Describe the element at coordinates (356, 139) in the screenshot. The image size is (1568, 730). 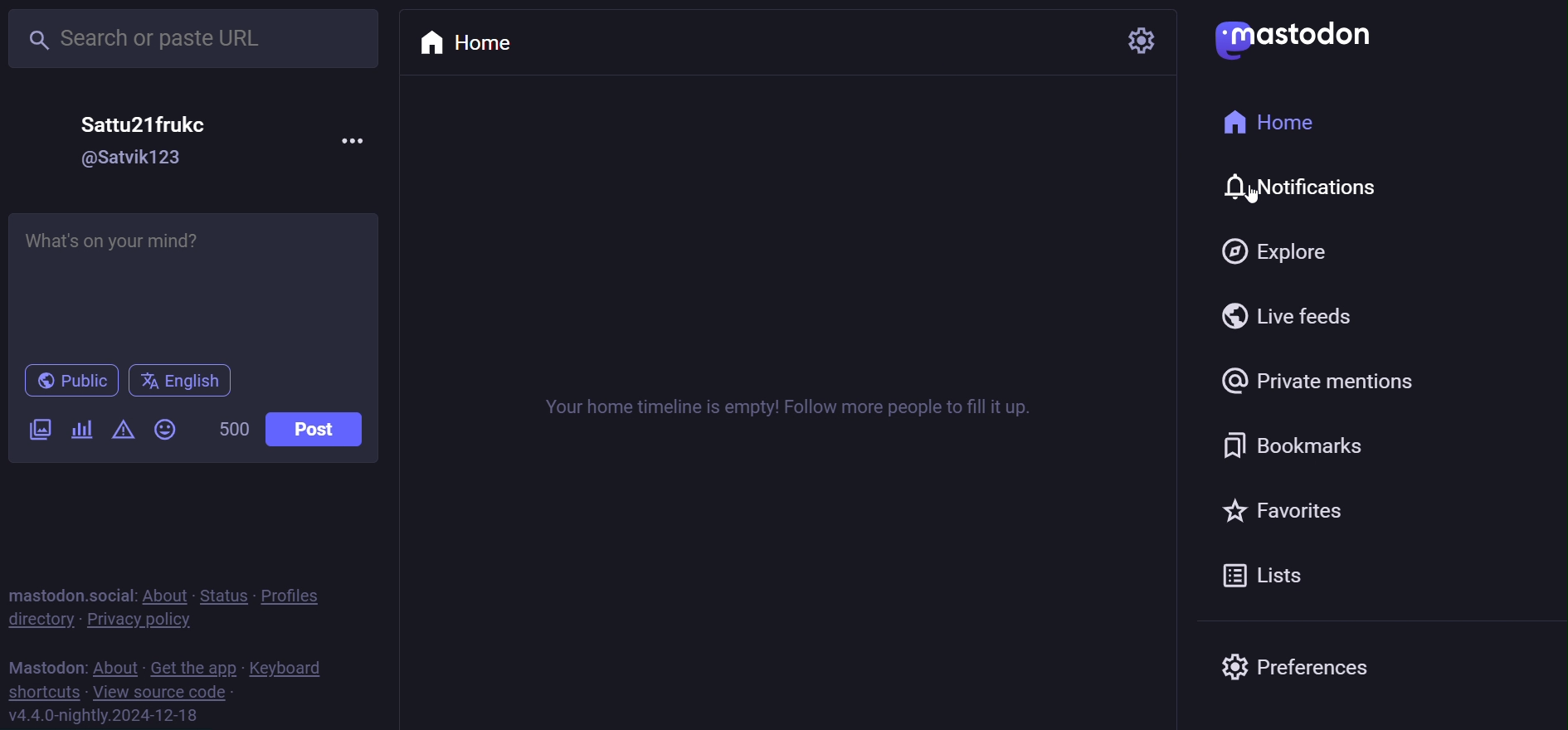
I see `more` at that location.